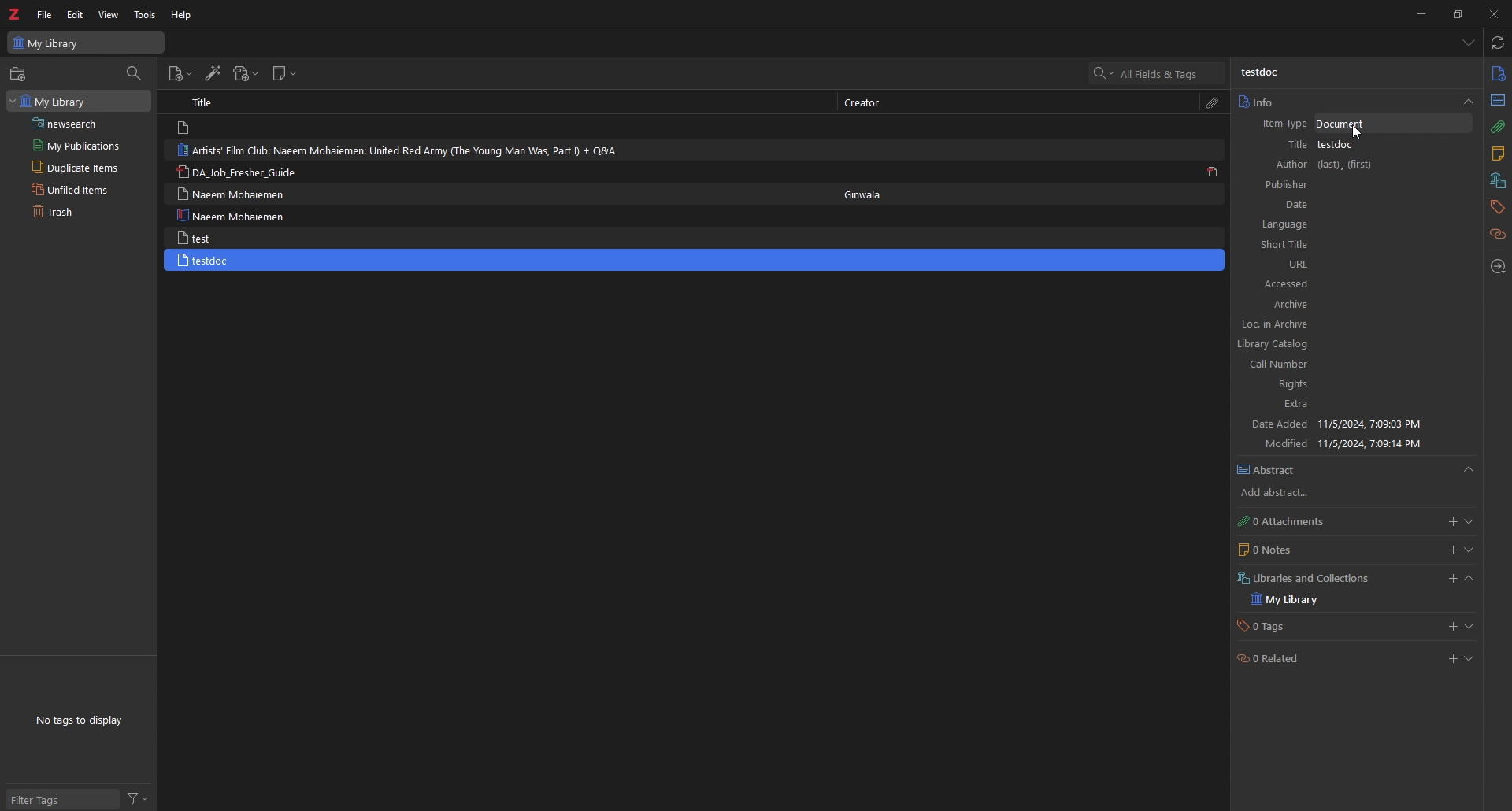 The height and width of the screenshot is (811, 1512). What do you see at coordinates (284, 73) in the screenshot?
I see `new note` at bounding box center [284, 73].